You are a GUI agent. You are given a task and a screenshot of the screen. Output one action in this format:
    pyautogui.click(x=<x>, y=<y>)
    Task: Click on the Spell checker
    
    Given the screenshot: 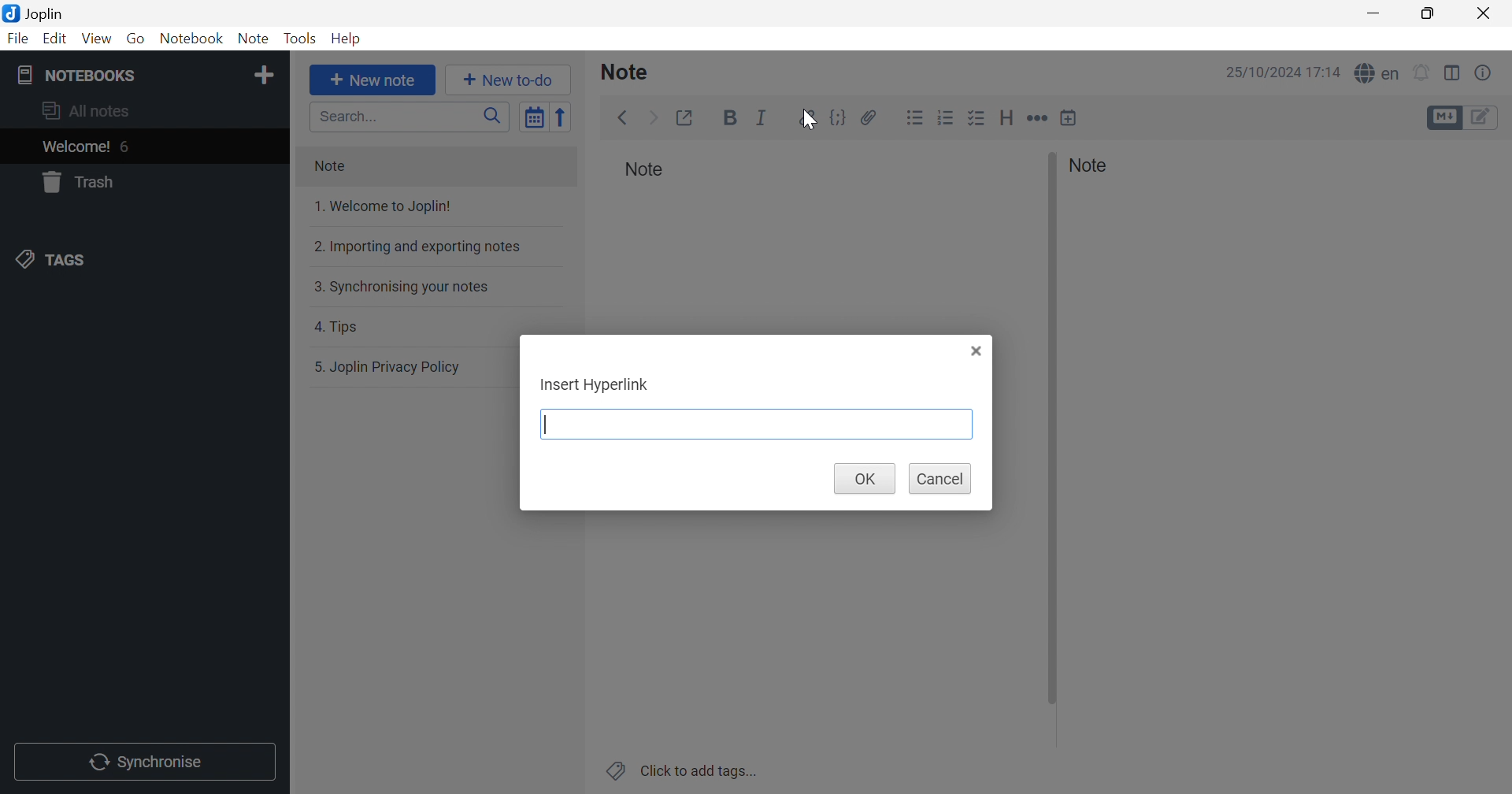 What is the action you would take?
    pyautogui.click(x=1377, y=74)
    